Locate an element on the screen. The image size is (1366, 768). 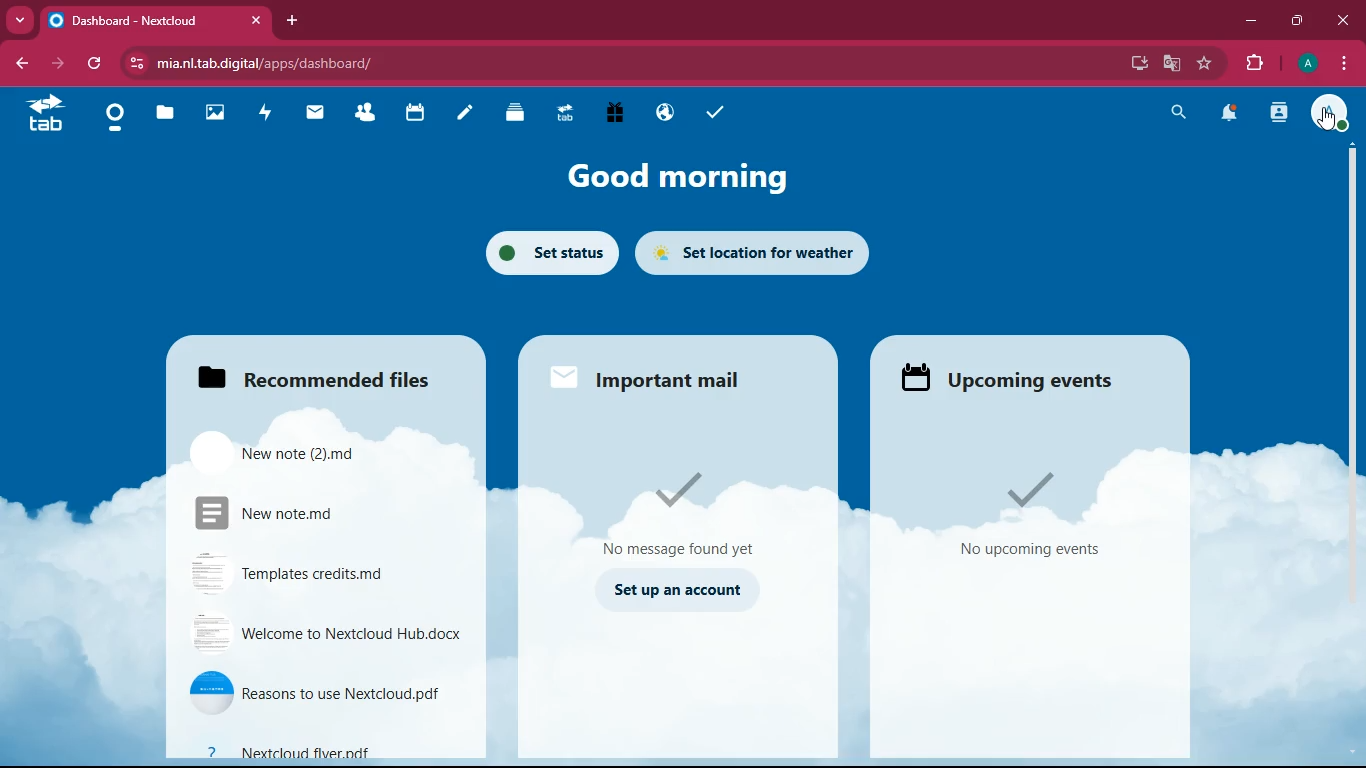
profile is located at coordinates (1335, 115).